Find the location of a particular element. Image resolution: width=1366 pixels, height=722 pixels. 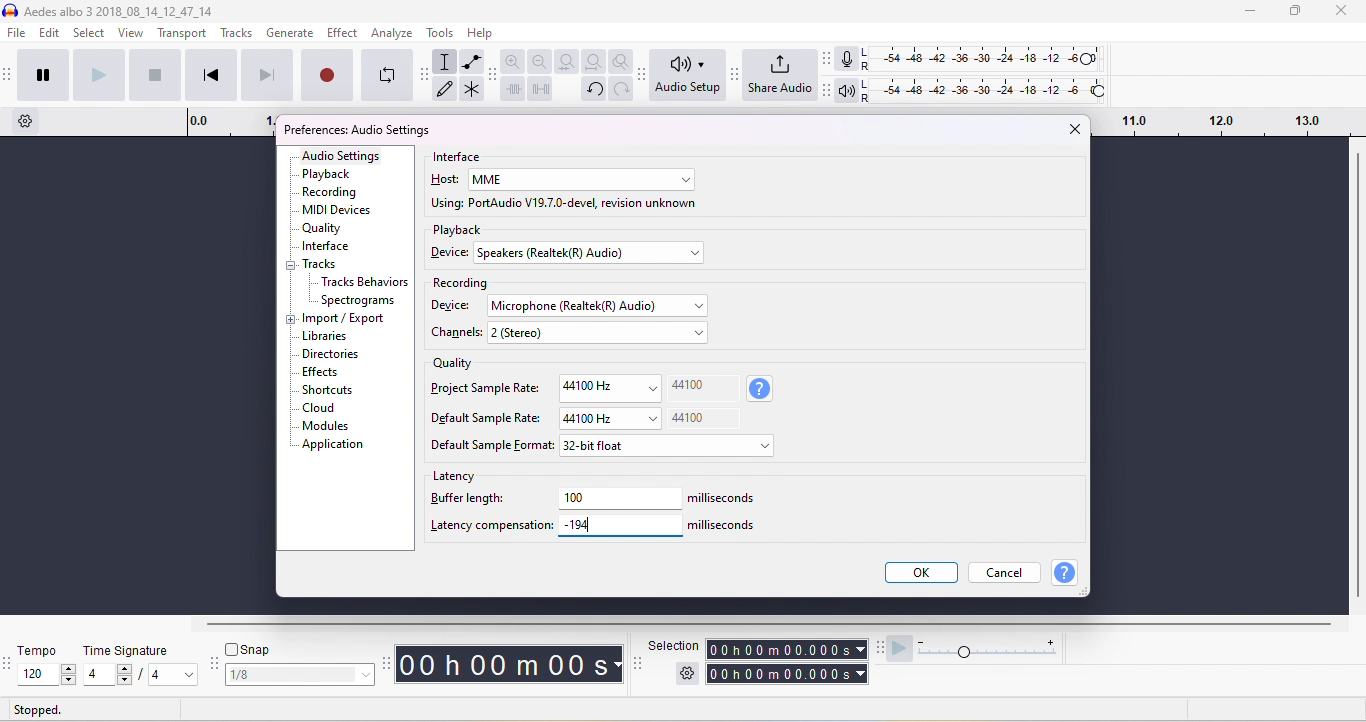

effect is located at coordinates (342, 32).